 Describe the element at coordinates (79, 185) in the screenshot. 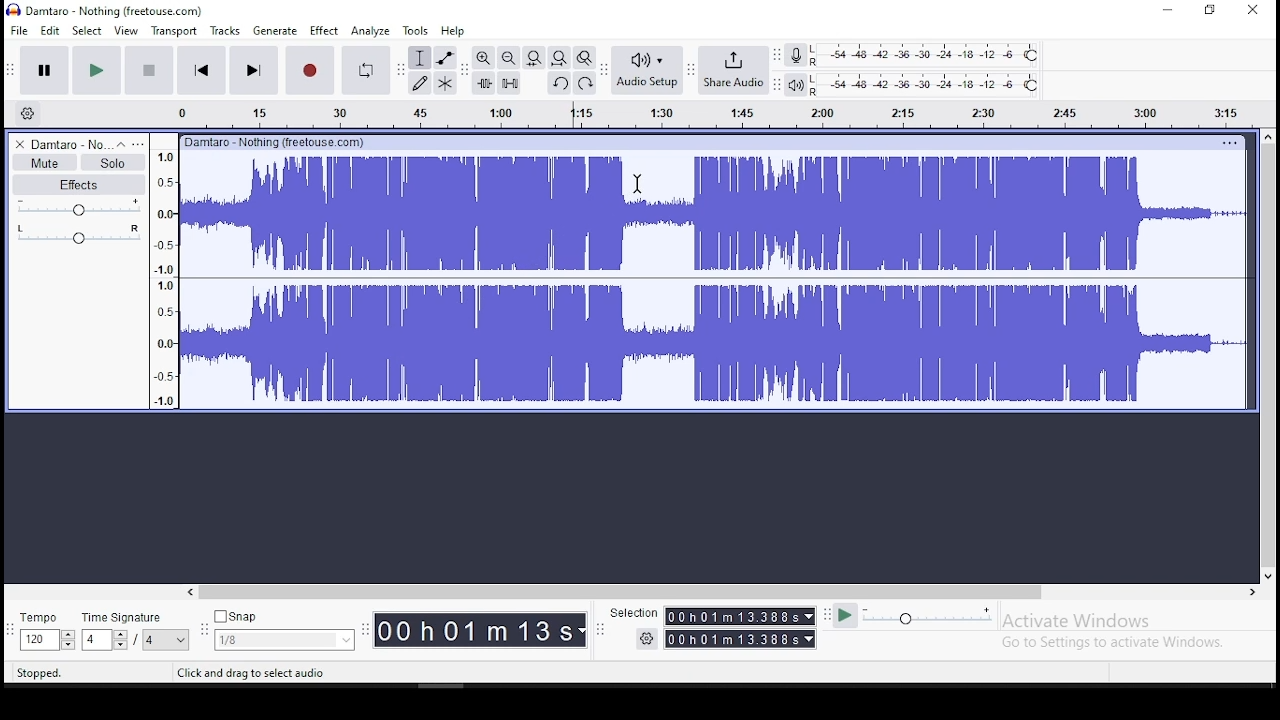

I see `effects` at that location.